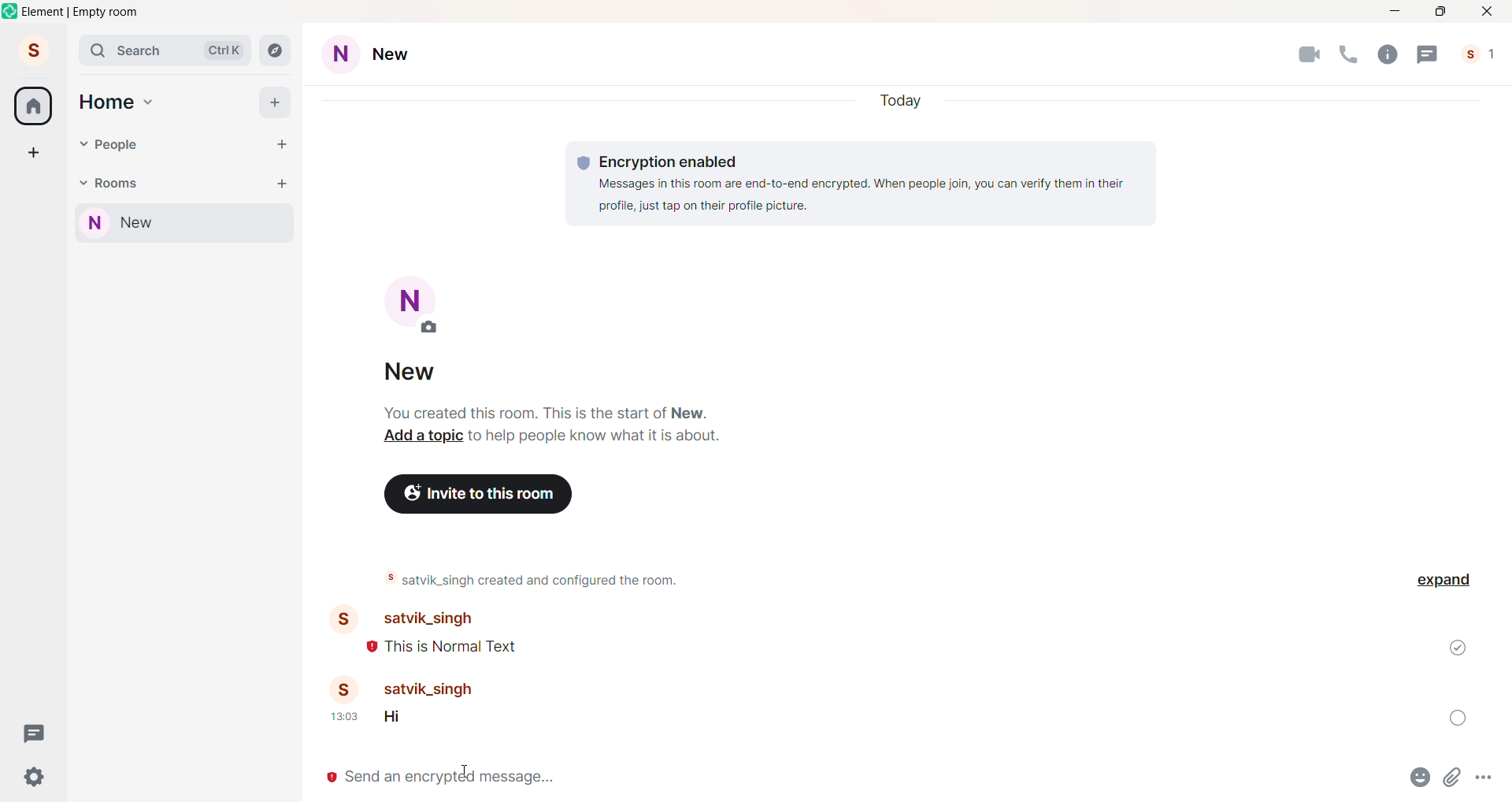 The height and width of the screenshot is (802, 1512). What do you see at coordinates (1346, 54) in the screenshot?
I see `Audio Call` at bounding box center [1346, 54].